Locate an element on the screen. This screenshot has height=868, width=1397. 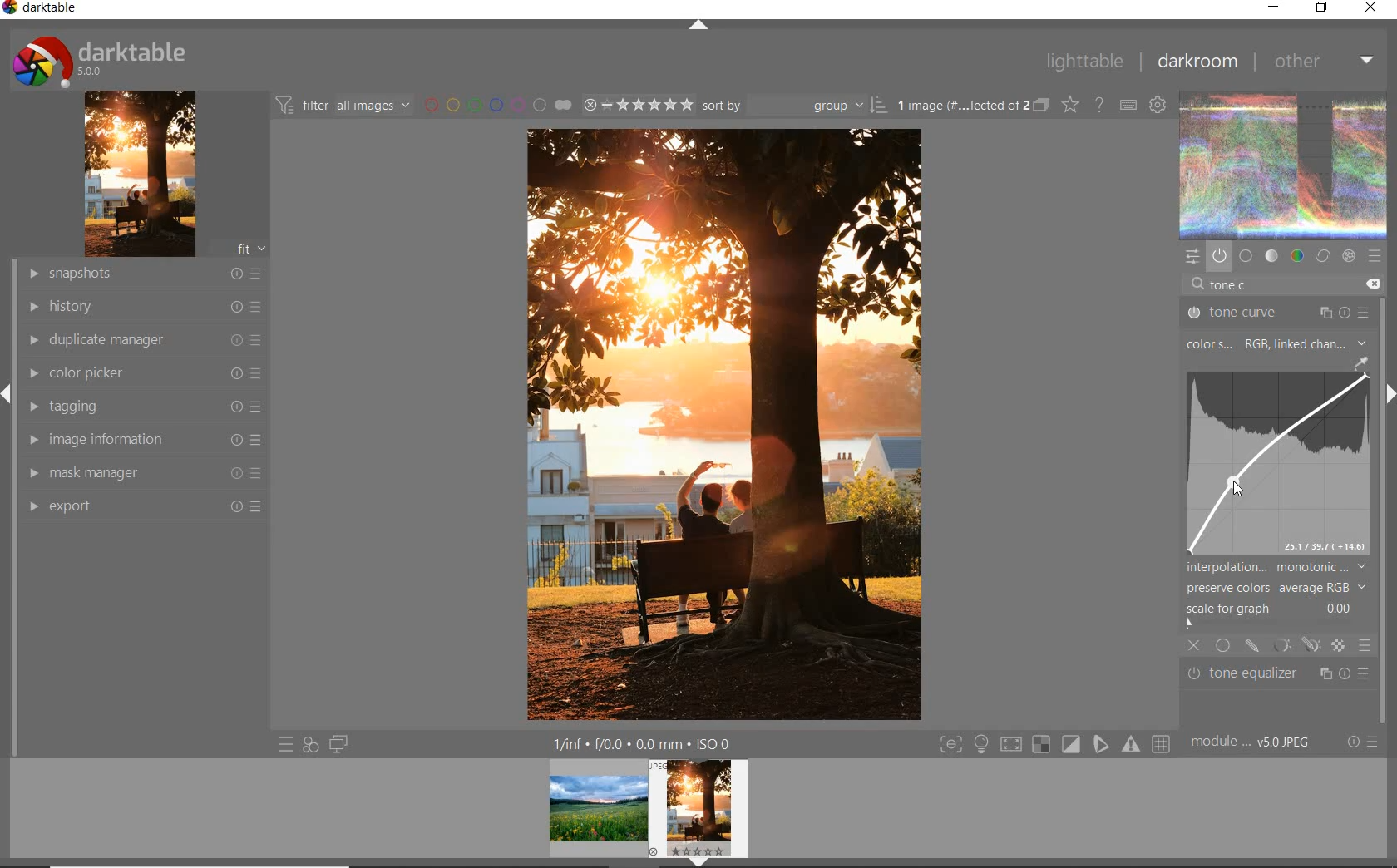
other is located at coordinates (1320, 60).